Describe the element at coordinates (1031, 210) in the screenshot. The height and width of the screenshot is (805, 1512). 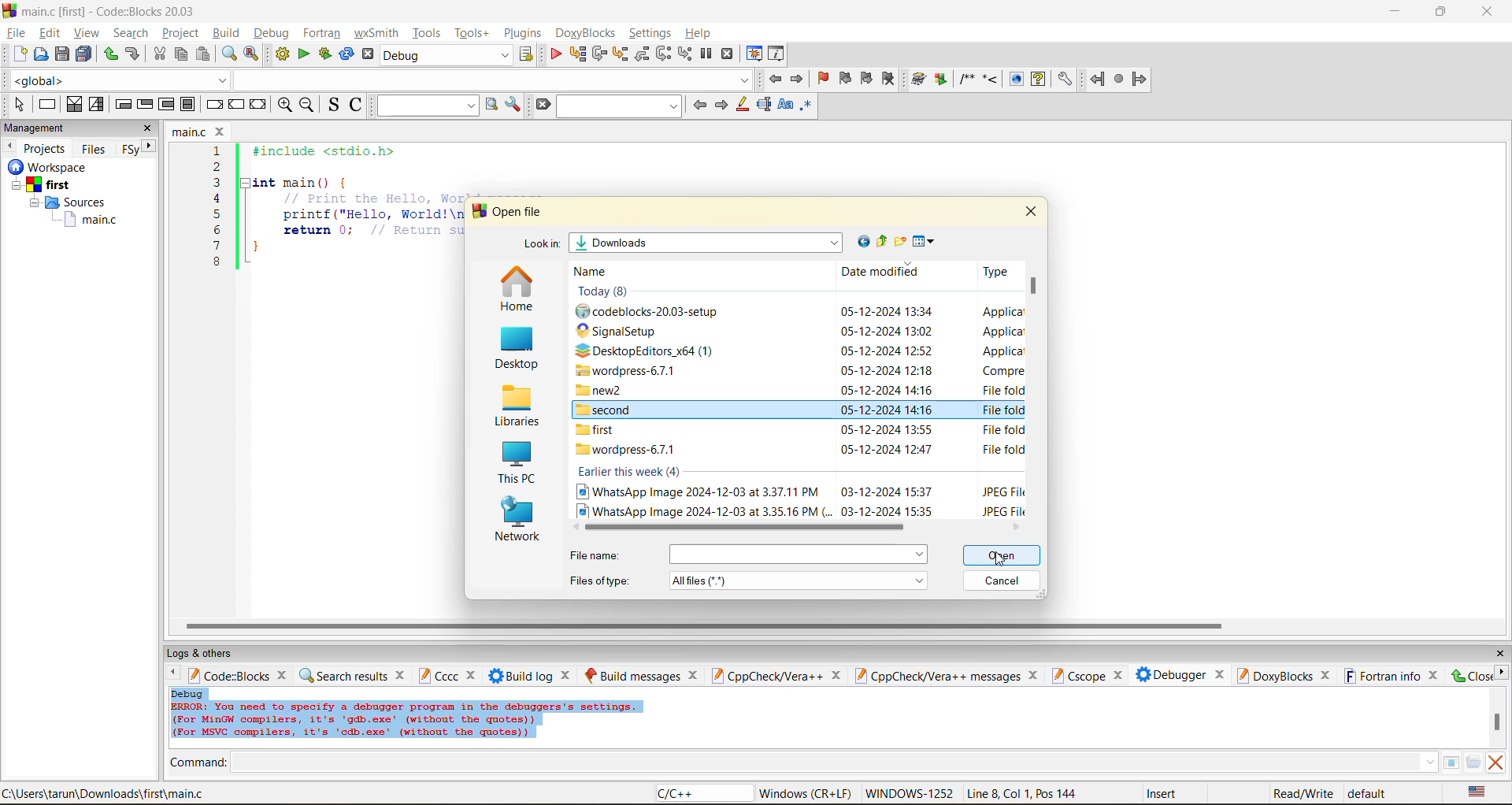
I see `close` at that location.